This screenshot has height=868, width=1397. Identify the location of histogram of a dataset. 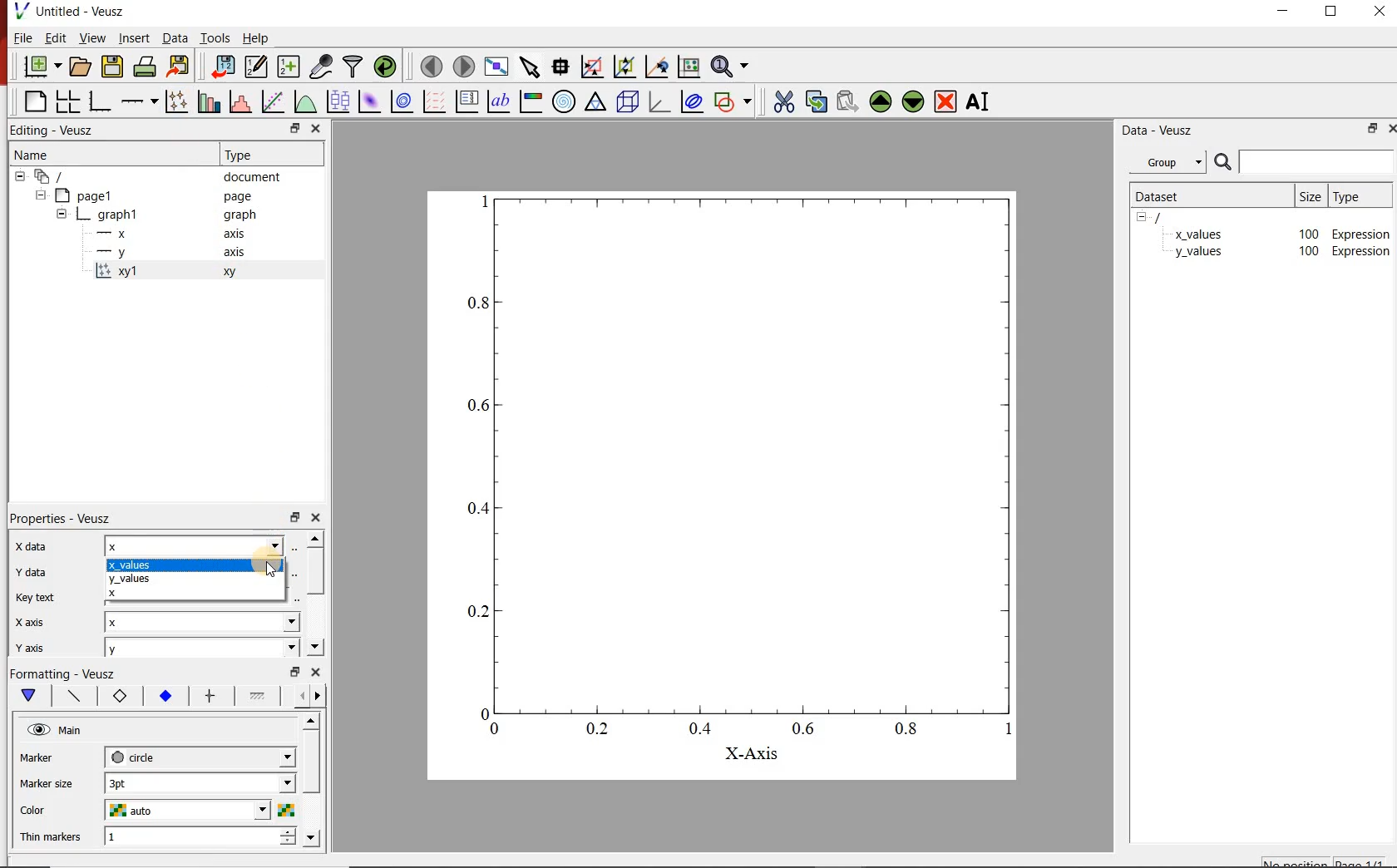
(241, 102).